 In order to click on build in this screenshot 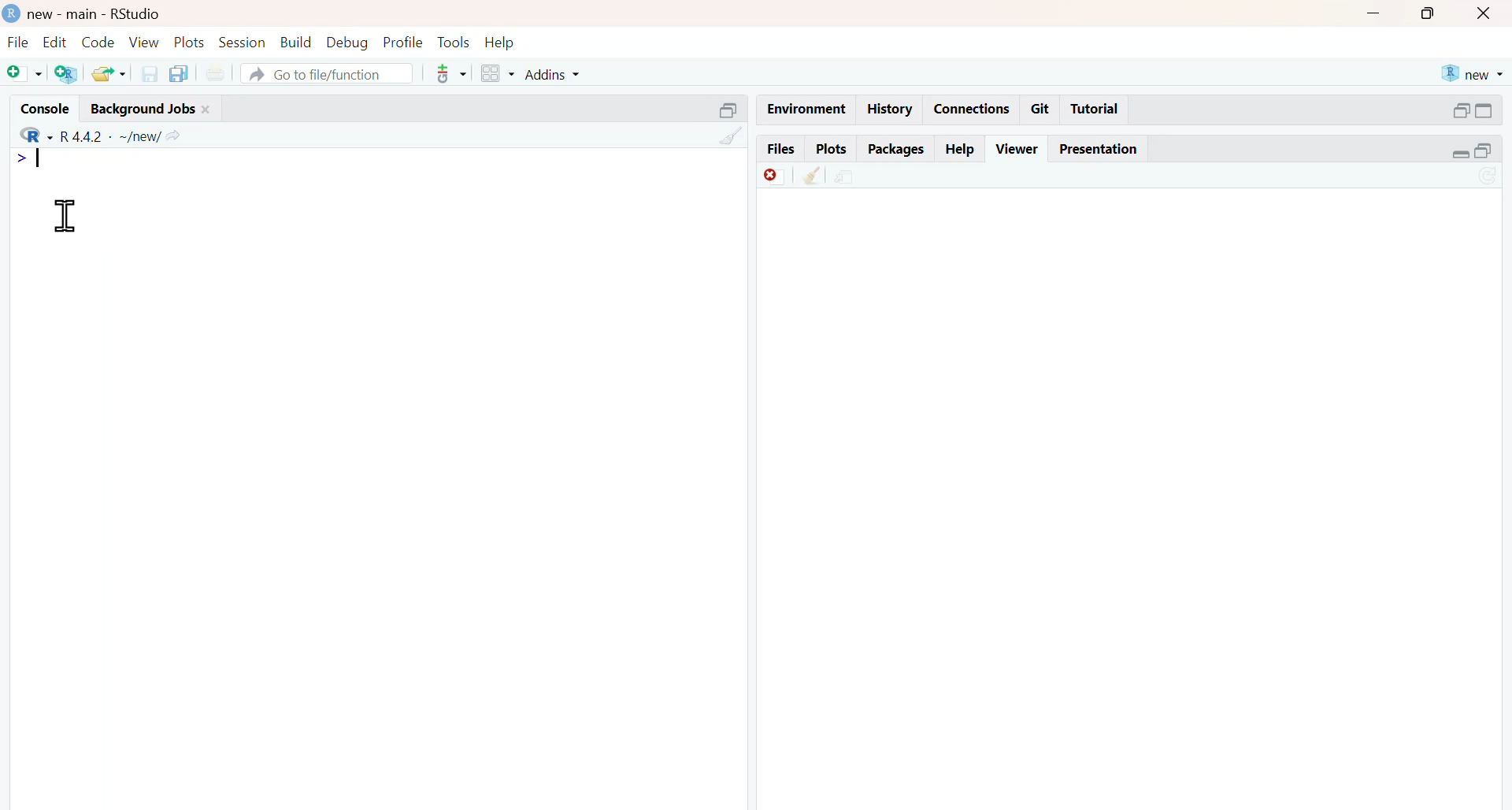, I will do `click(297, 43)`.